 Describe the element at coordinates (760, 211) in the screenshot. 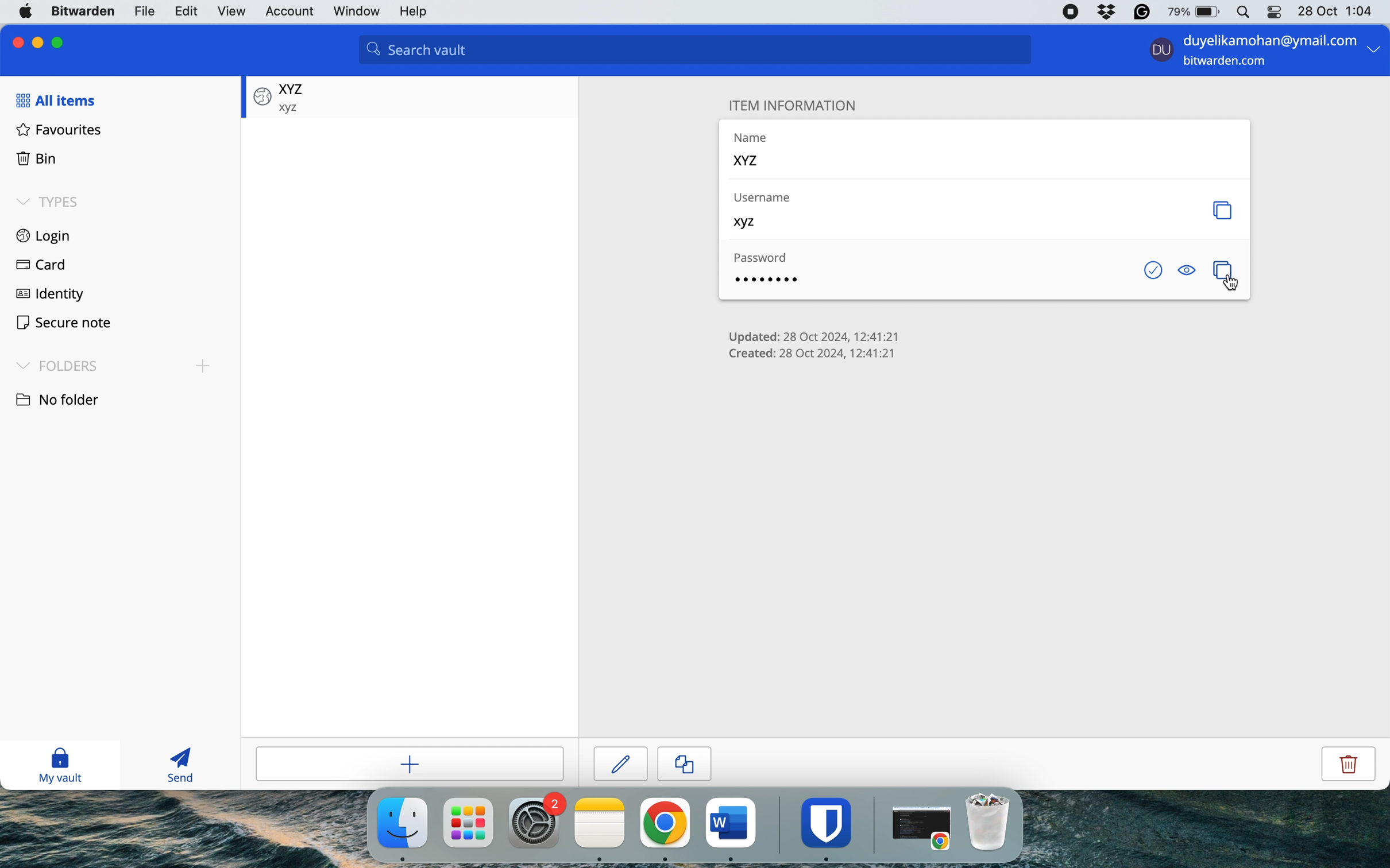

I see `username` at that location.